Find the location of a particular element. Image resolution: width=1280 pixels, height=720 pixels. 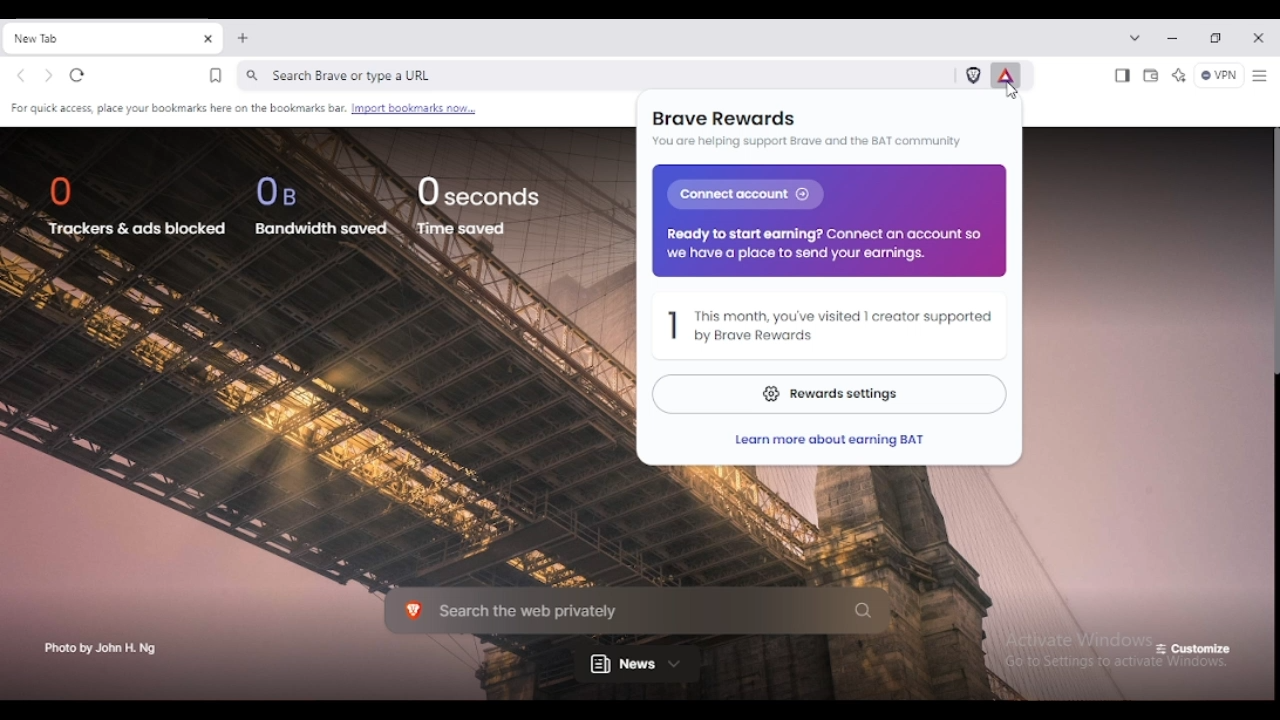

show sidebar is located at coordinates (1122, 76).